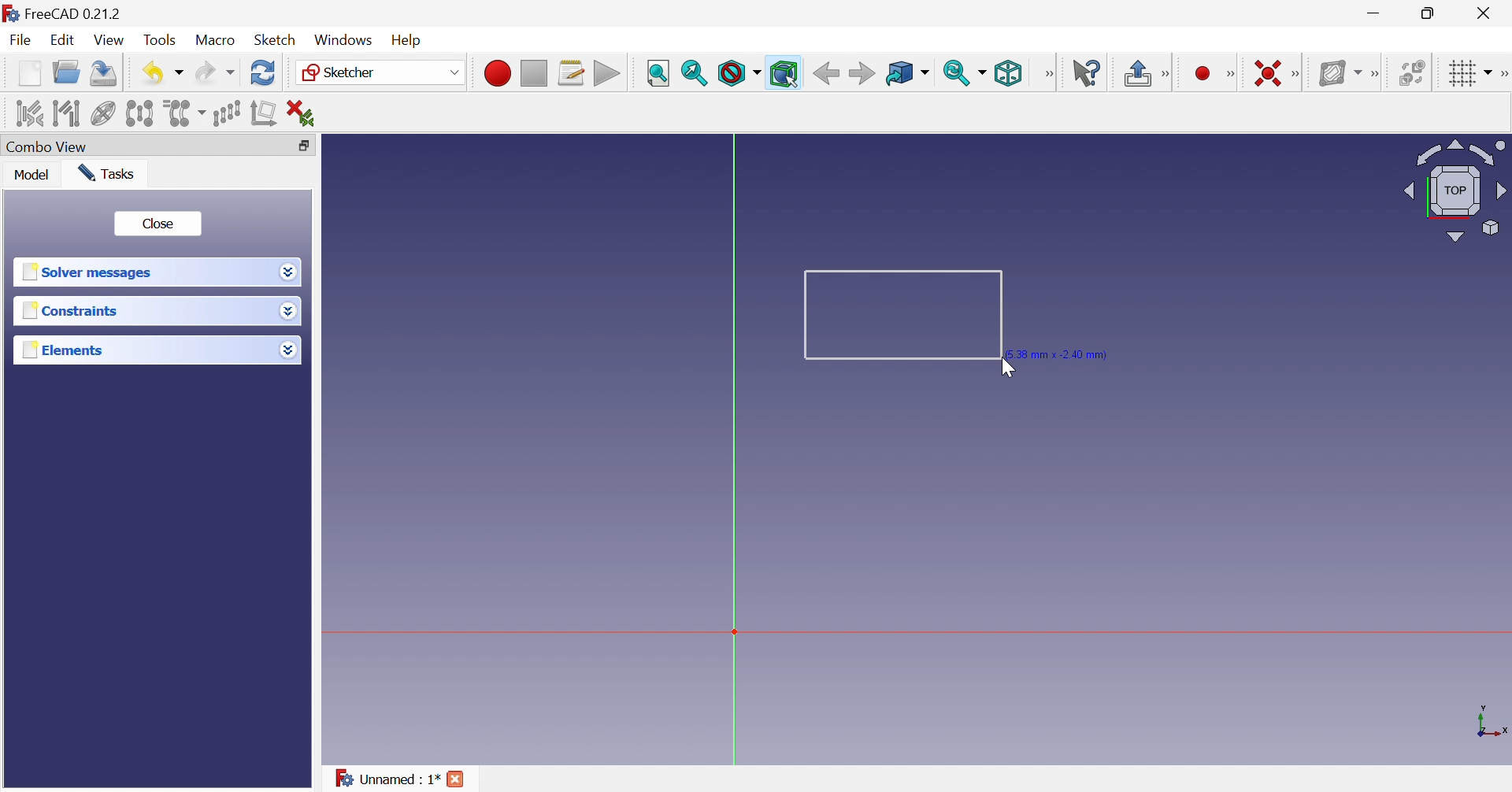 The width and height of the screenshot is (1512, 792). Describe the element at coordinates (228, 114) in the screenshot. I see `Rectangular array` at that location.